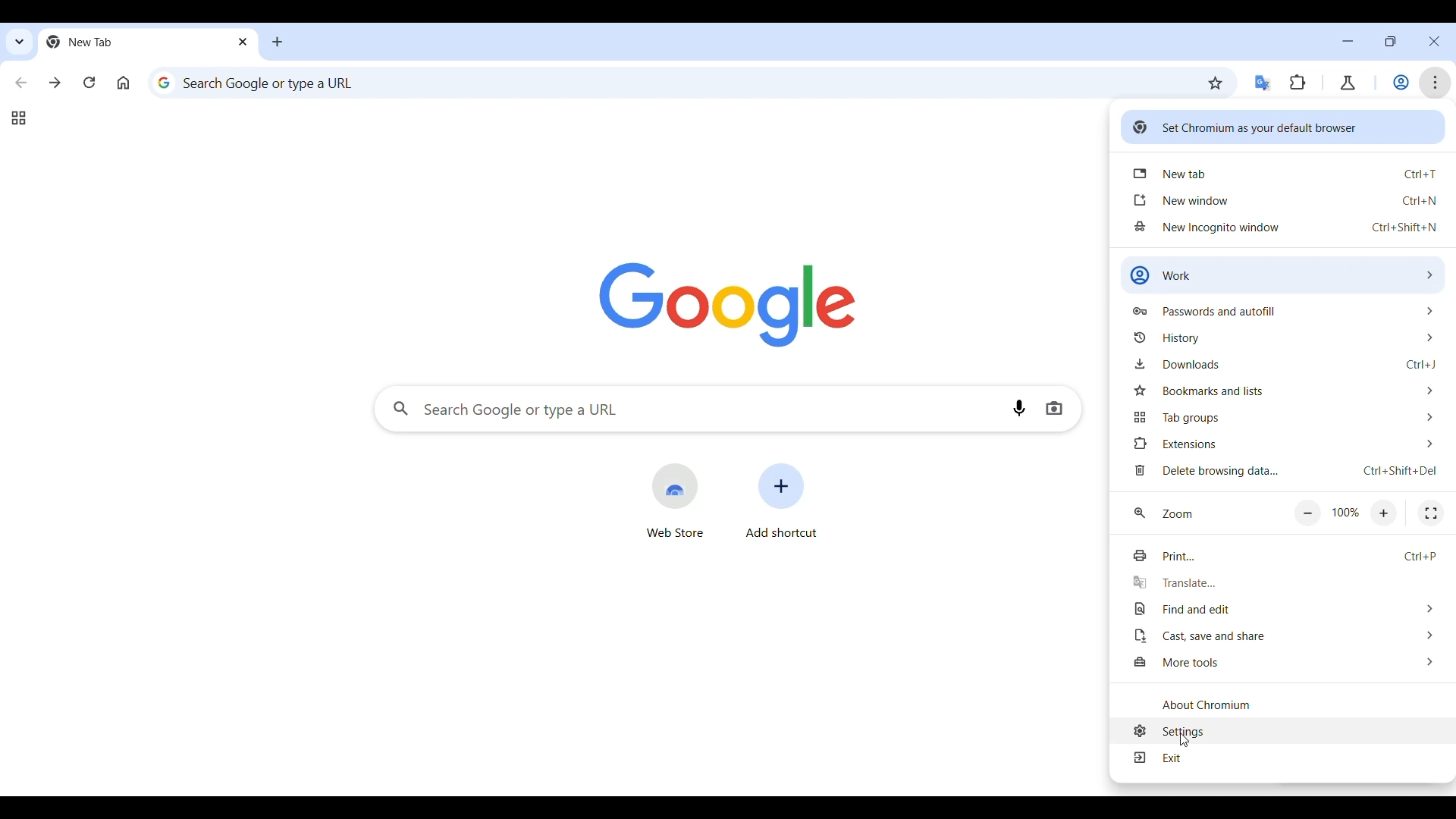 Image resolution: width=1456 pixels, height=819 pixels. Describe the element at coordinates (1285, 227) in the screenshot. I see `new incognito window` at that location.